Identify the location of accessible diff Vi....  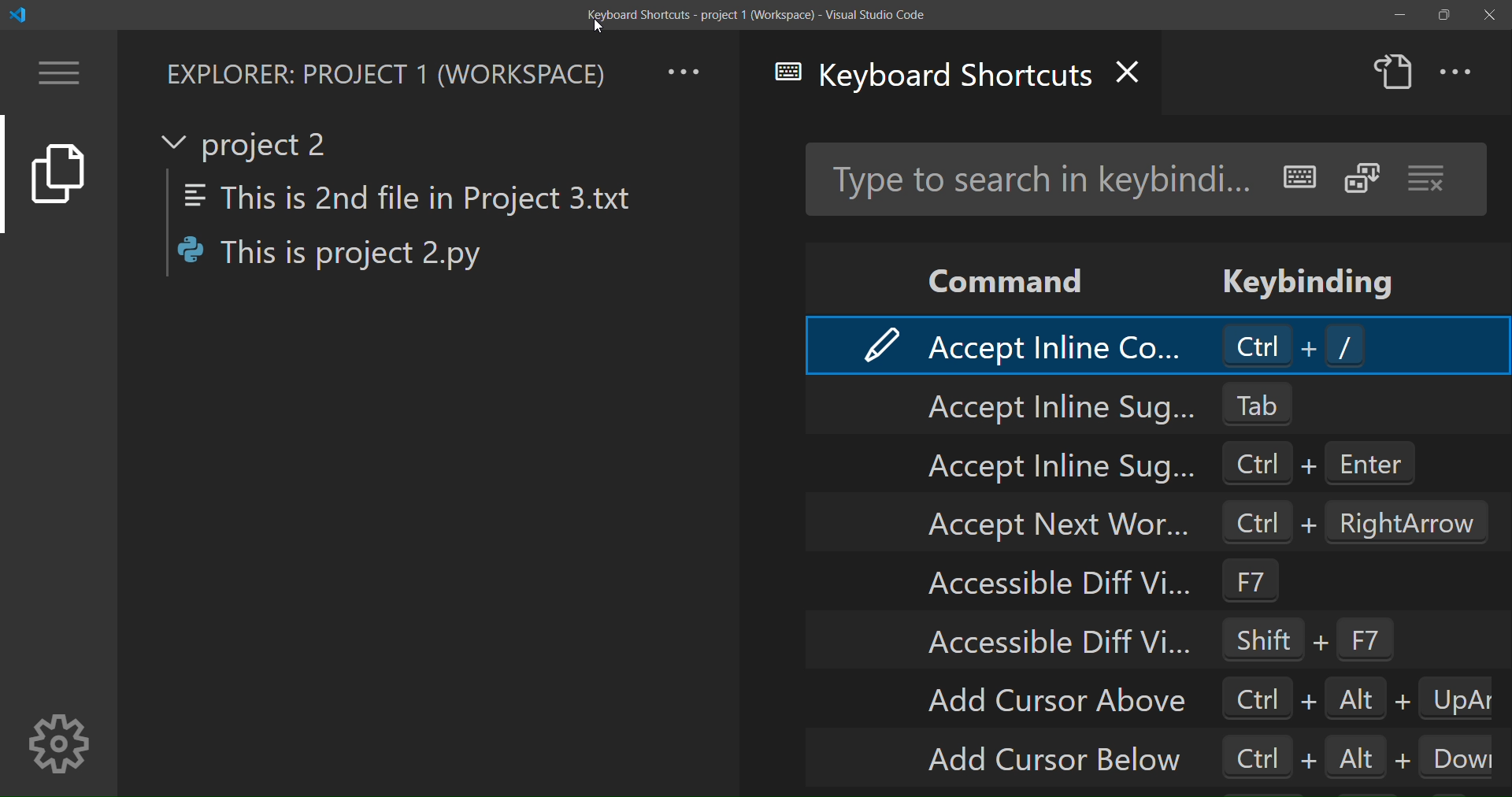
(1055, 644).